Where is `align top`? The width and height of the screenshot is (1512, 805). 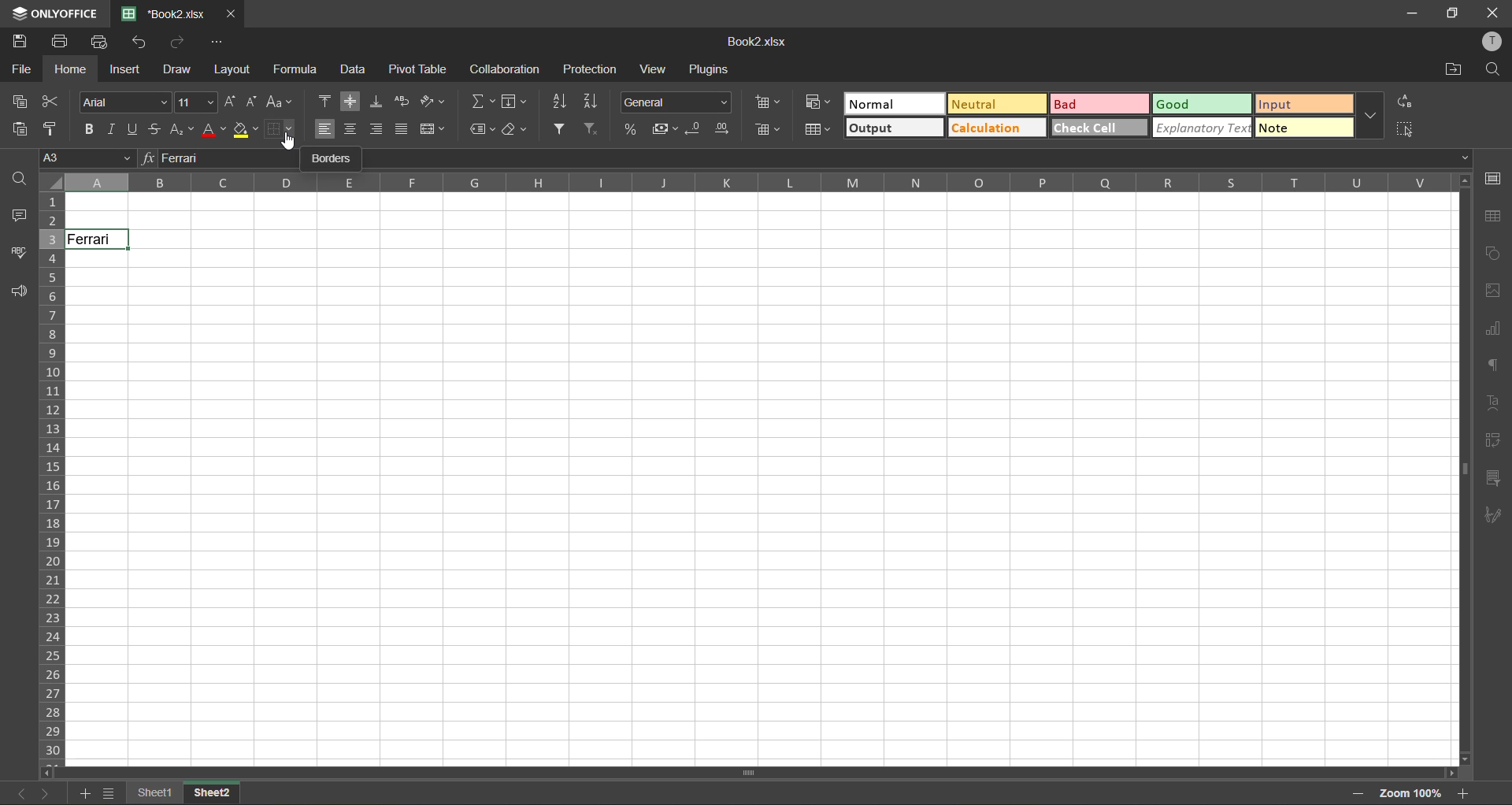 align top is located at coordinates (325, 101).